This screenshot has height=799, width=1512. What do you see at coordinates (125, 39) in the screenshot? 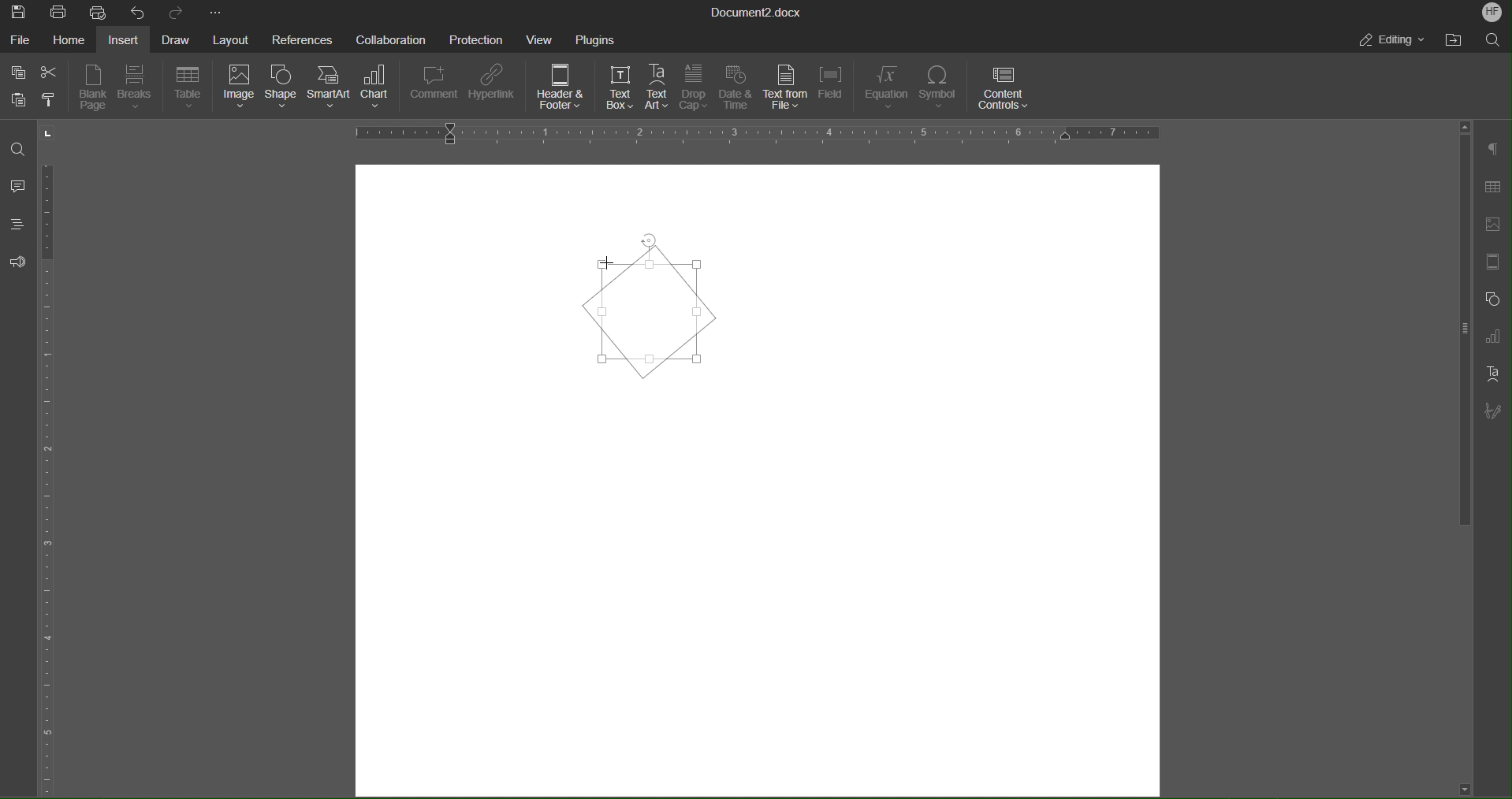
I see `Insert` at bounding box center [125, 39].